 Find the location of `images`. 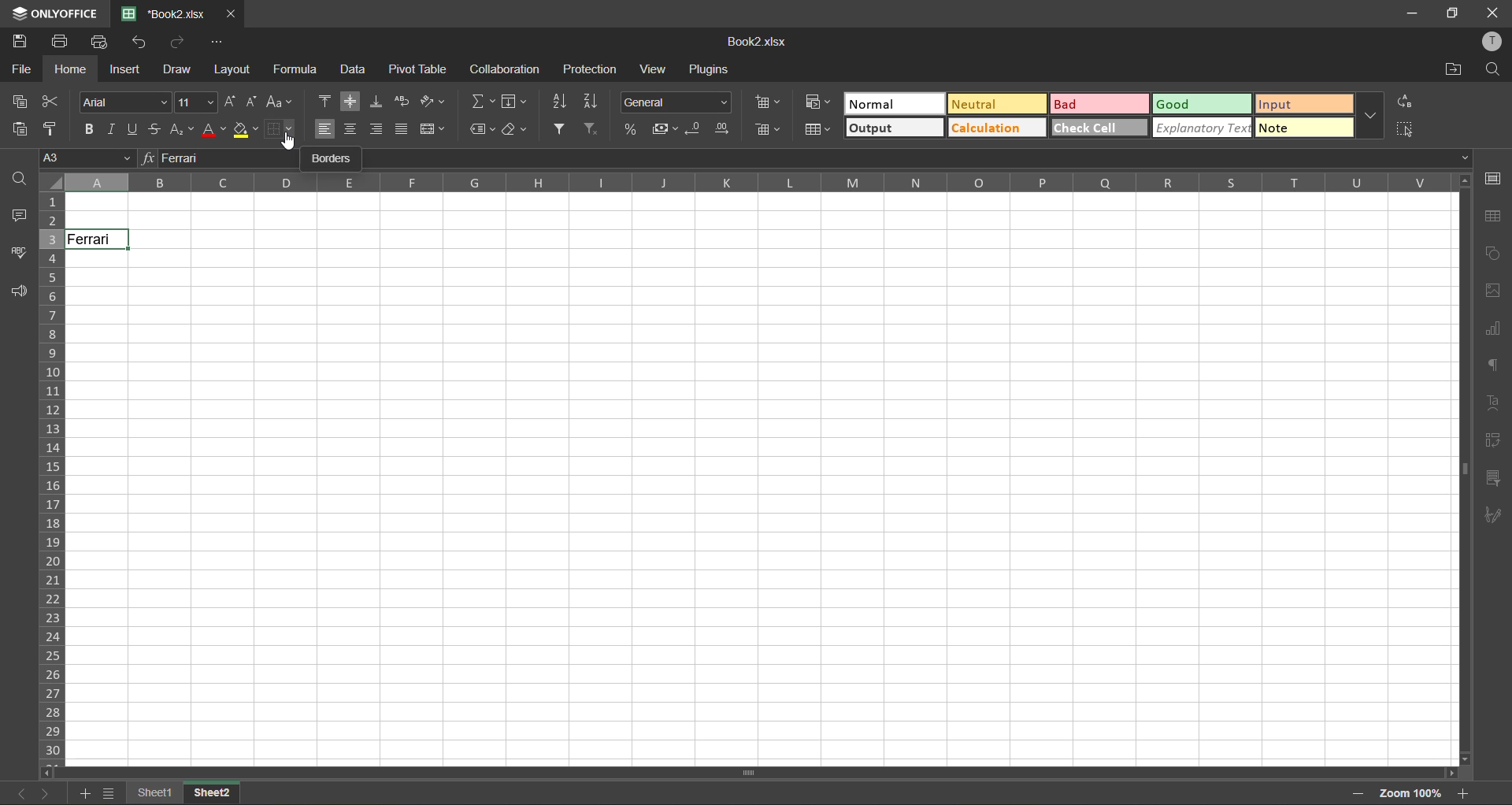

images is located at coordinates (1494, 291).